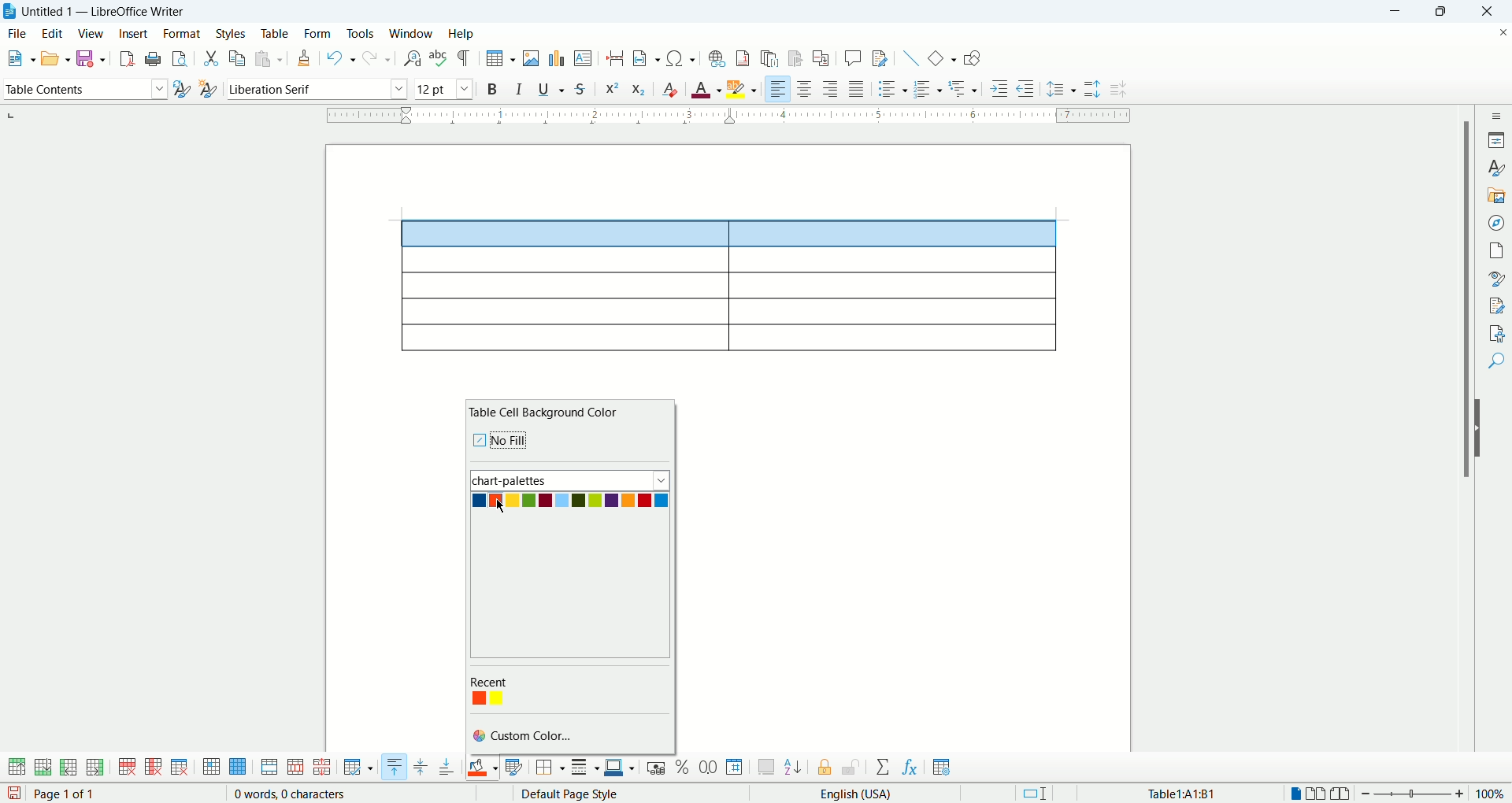  Describe the element at coordinates (831, 87) in the screenshot. I see `left align` at that location.